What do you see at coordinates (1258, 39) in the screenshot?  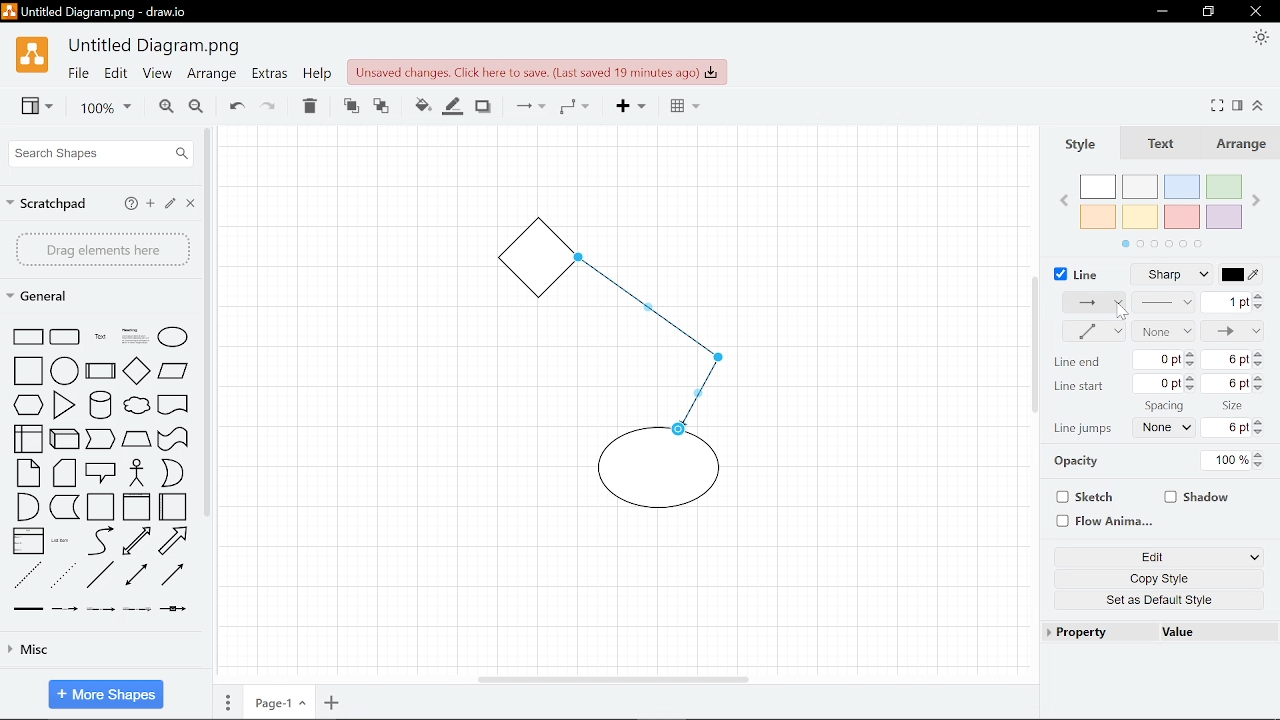 I see `Appearence` at bounding box center [1258, 39].